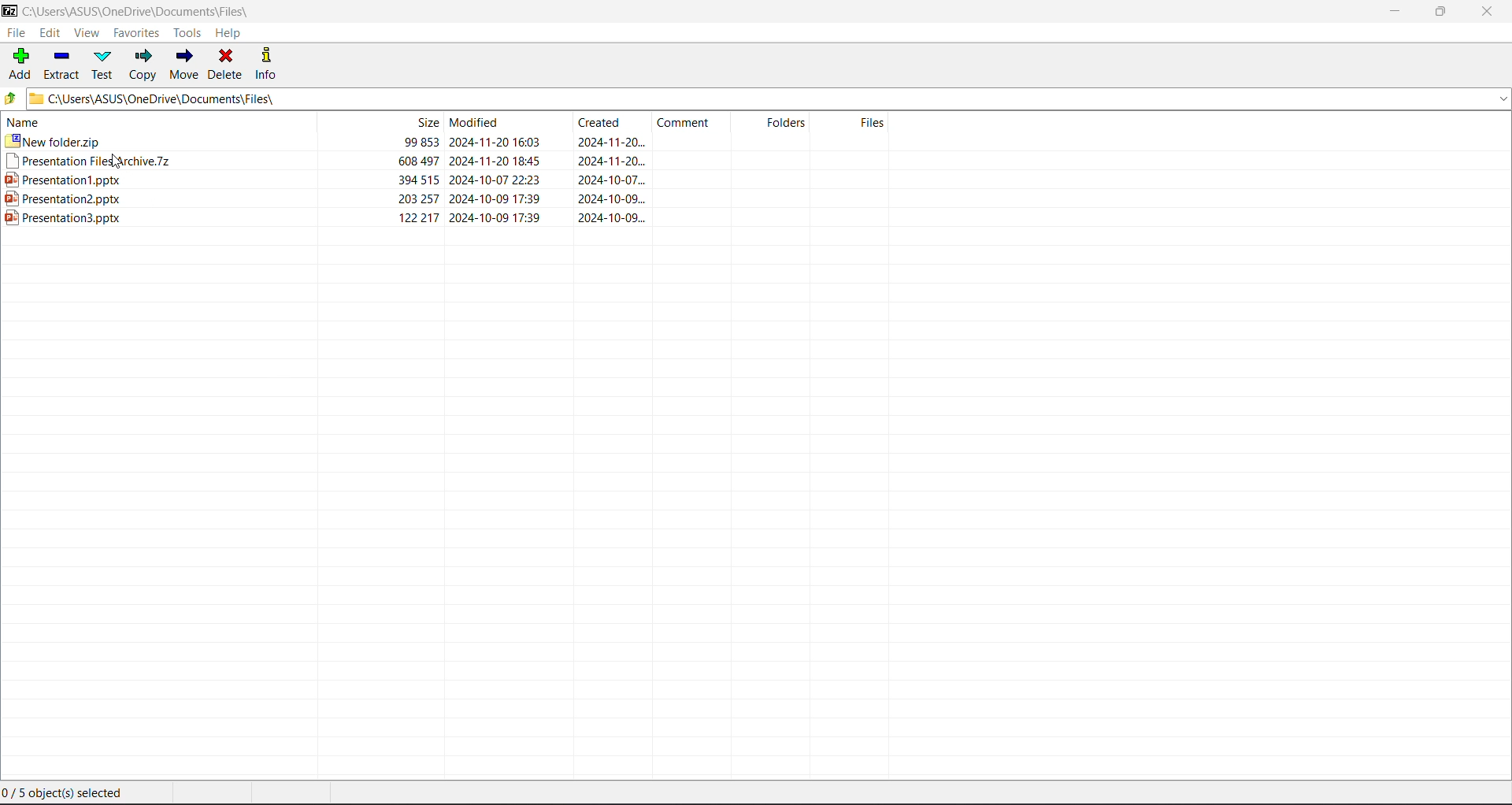  I want to click on Edit, so click(52, 32).